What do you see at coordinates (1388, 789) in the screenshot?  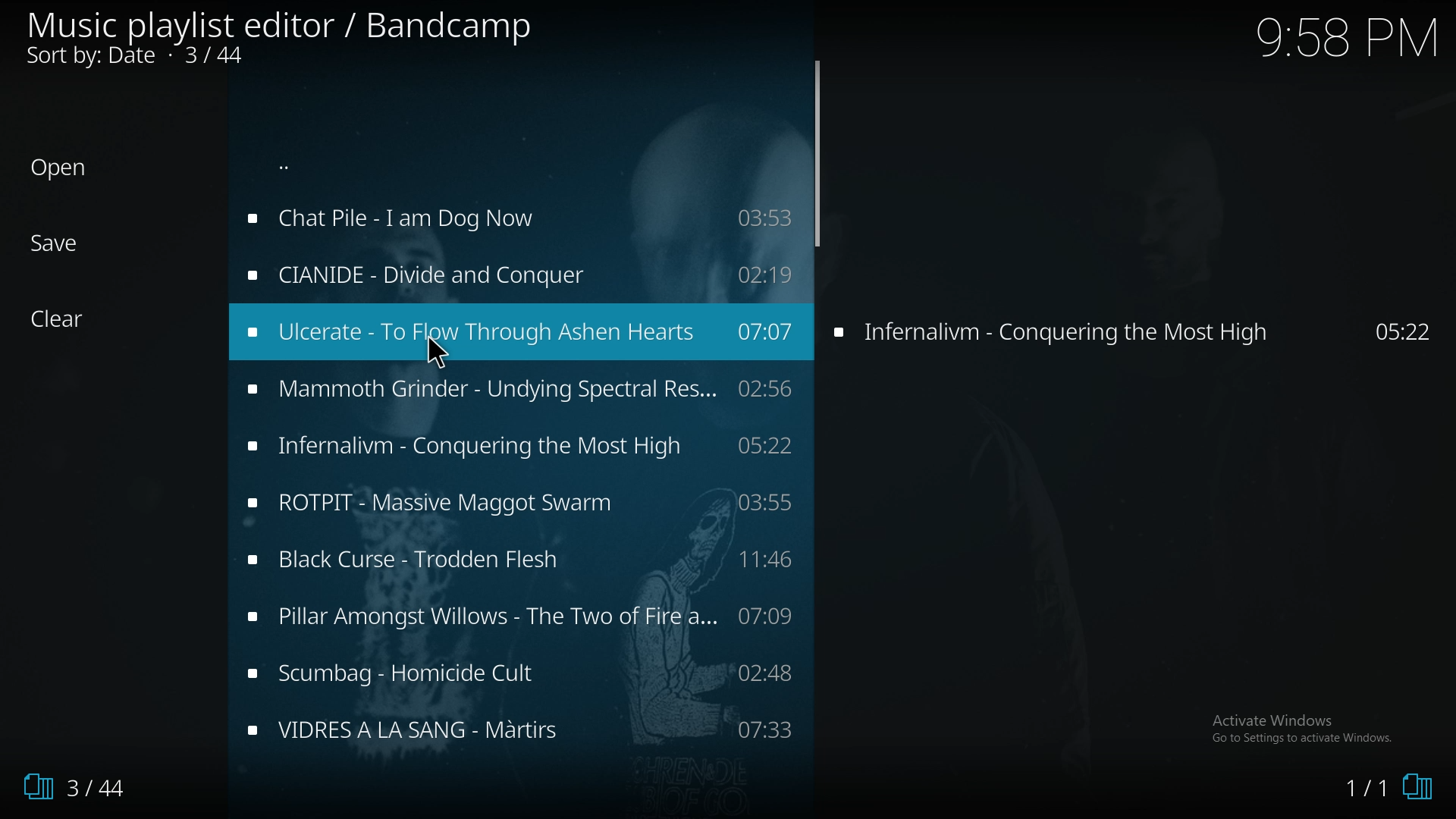 I see `1/0` at bounding box center [1388, 789].